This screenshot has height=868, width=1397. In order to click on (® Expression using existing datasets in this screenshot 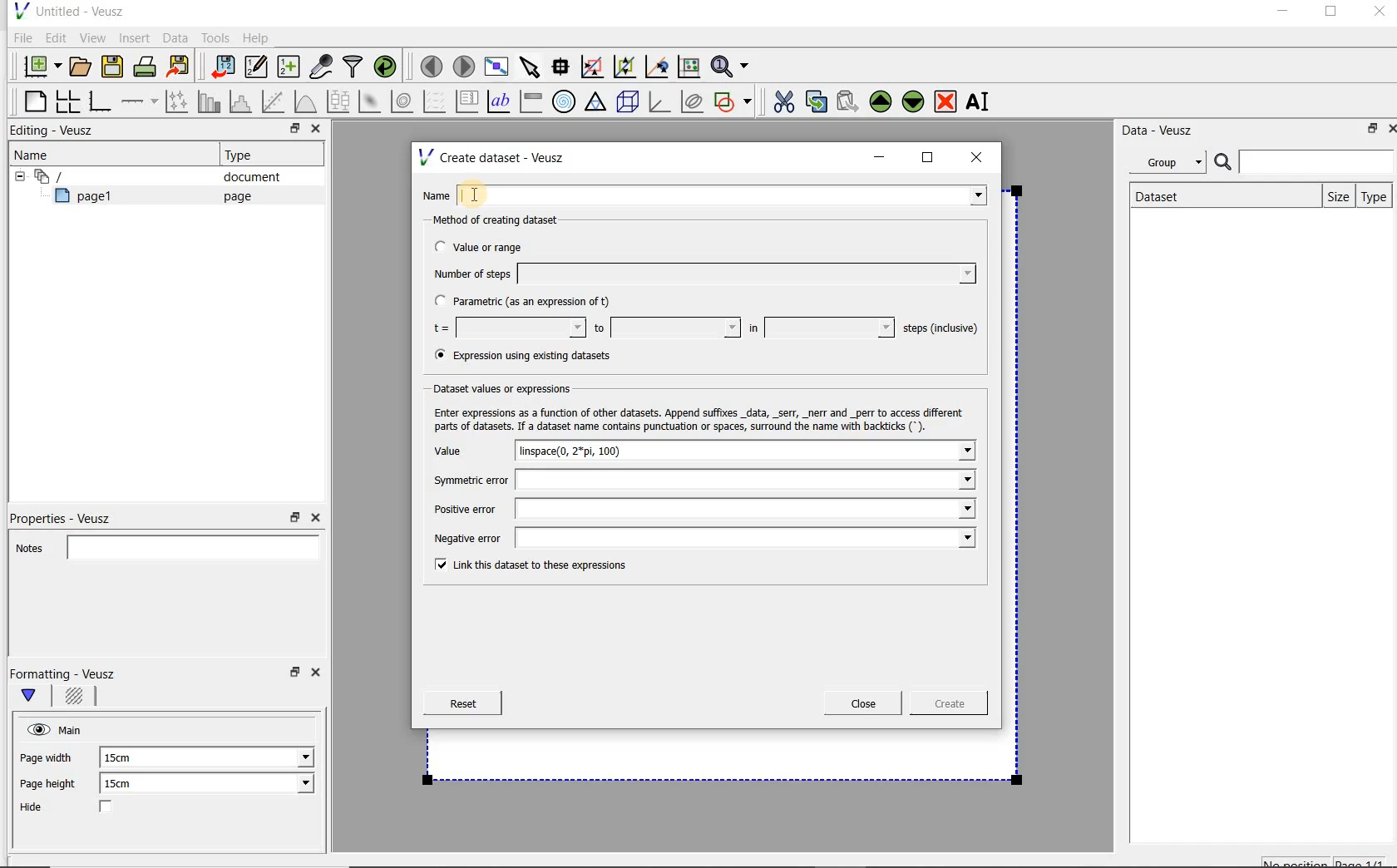, I will do `click(535, 356)`.